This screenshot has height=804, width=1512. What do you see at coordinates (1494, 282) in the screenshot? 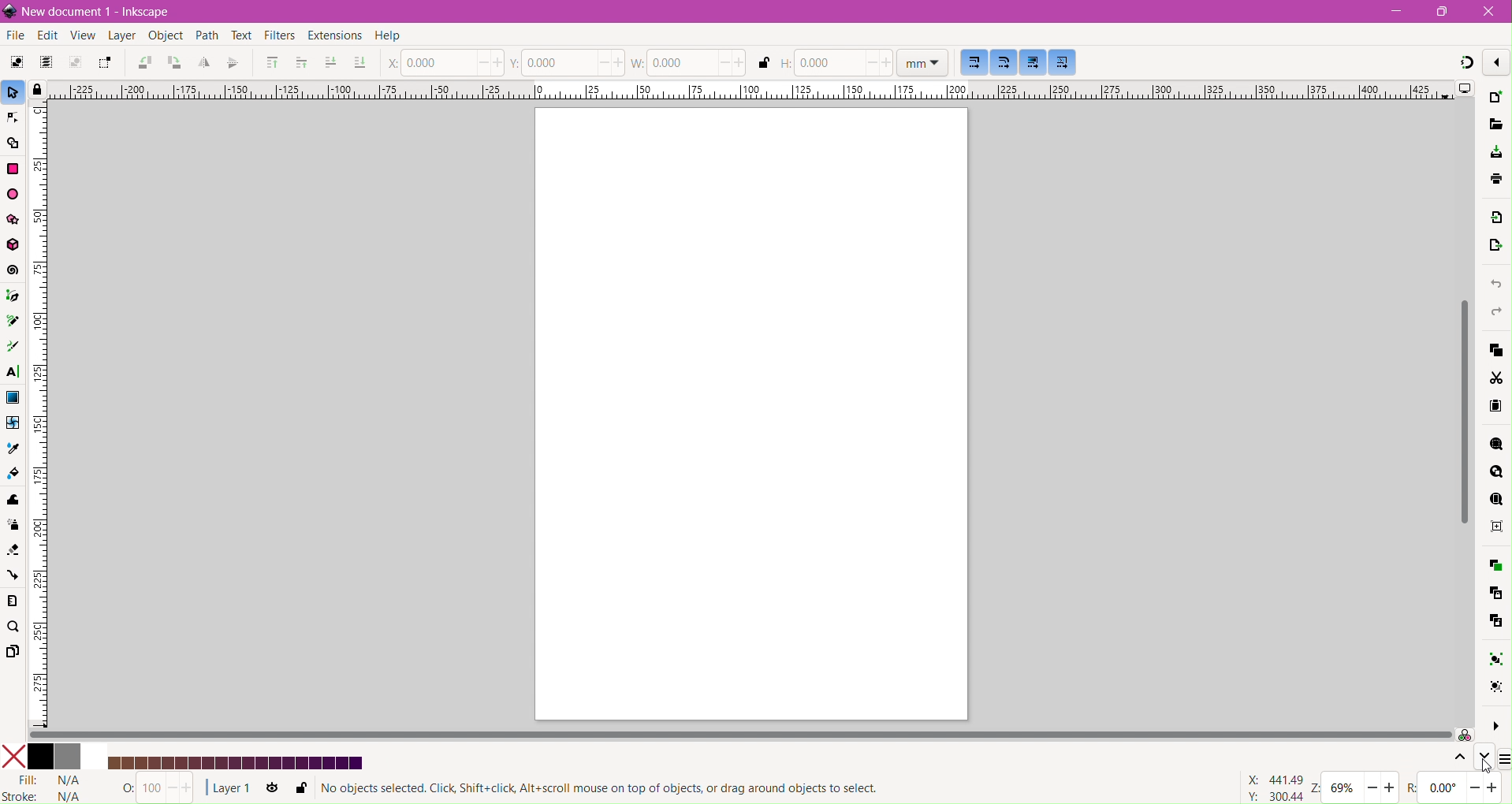
I see `Undo` at bounding box center [1494, 282].